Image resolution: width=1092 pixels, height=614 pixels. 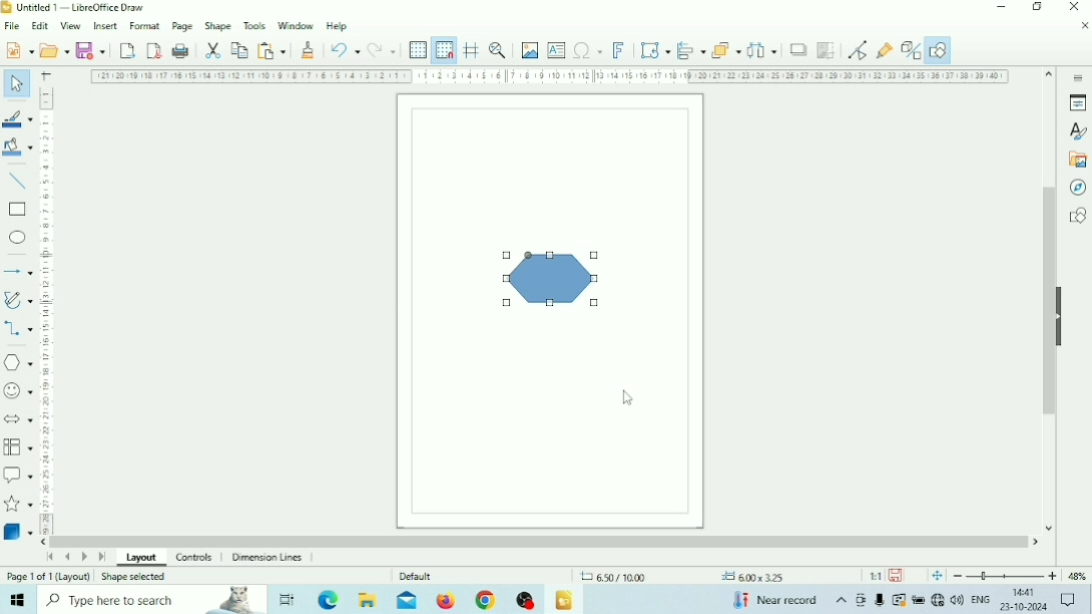 I want to click on Speakers, so click(x=958, y=598).